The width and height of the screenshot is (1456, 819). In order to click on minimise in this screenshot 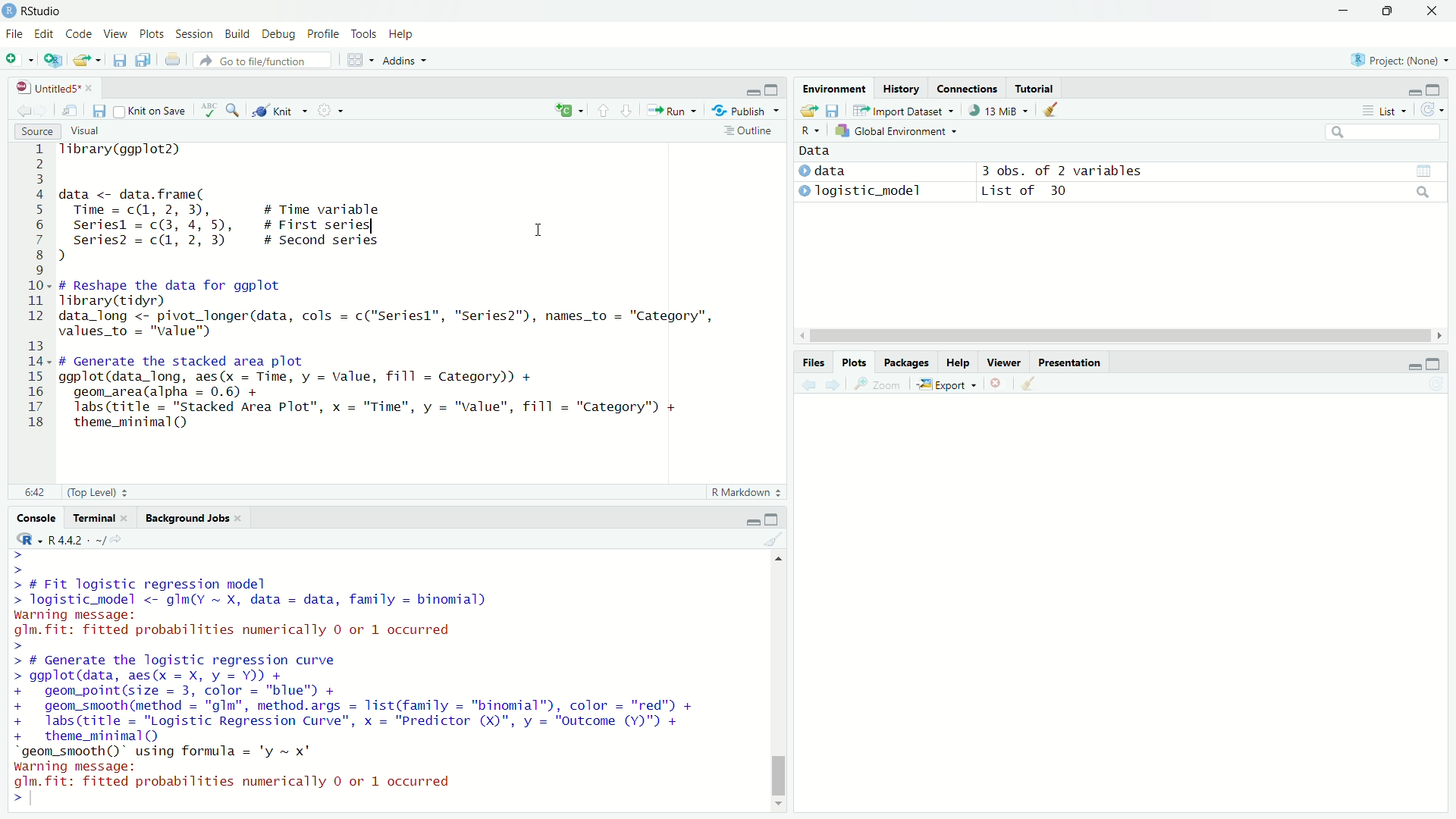, I will do `click(743, 87)`.